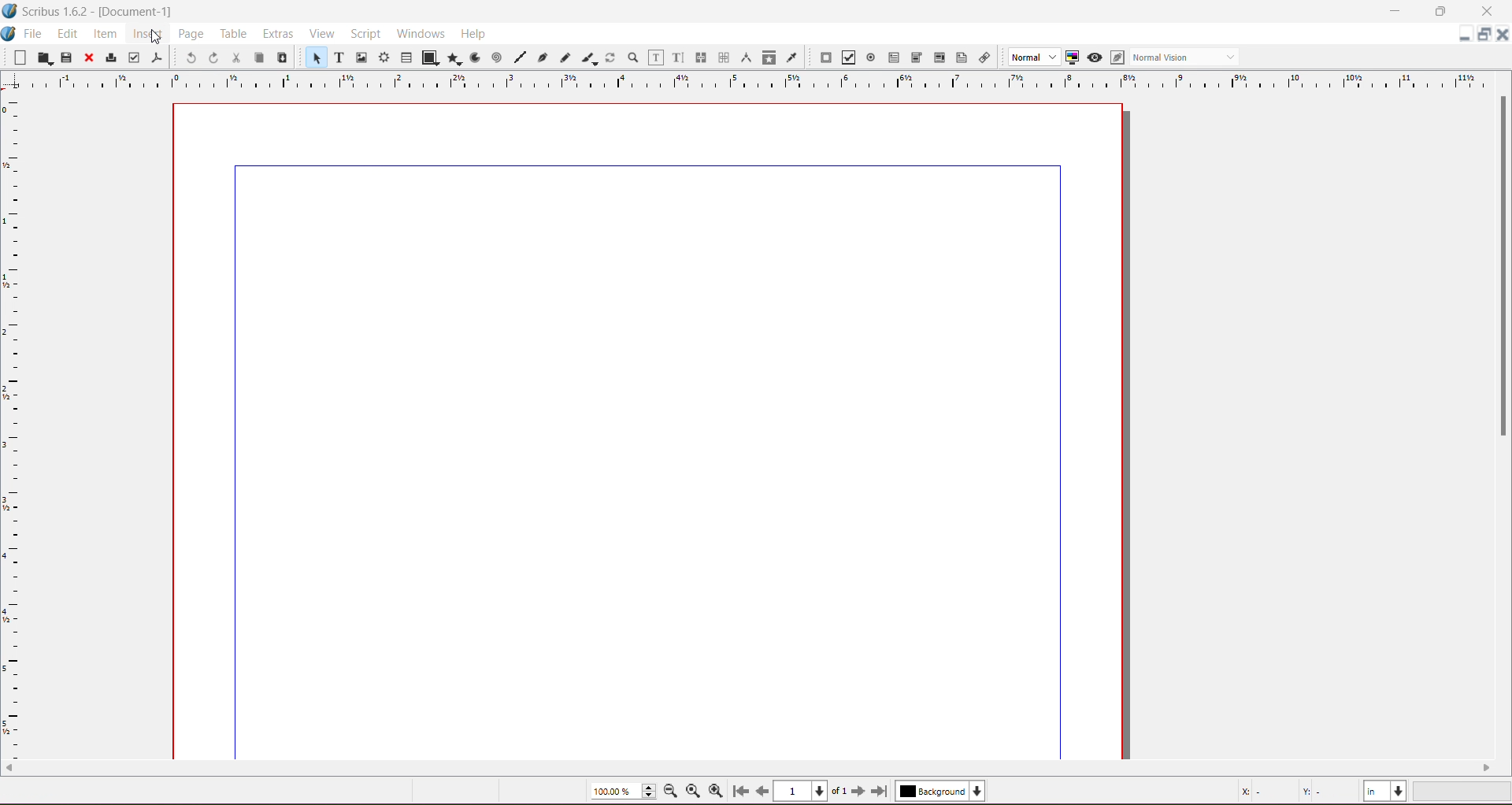  I want to click on Preview Mode, so click(1094, 58).